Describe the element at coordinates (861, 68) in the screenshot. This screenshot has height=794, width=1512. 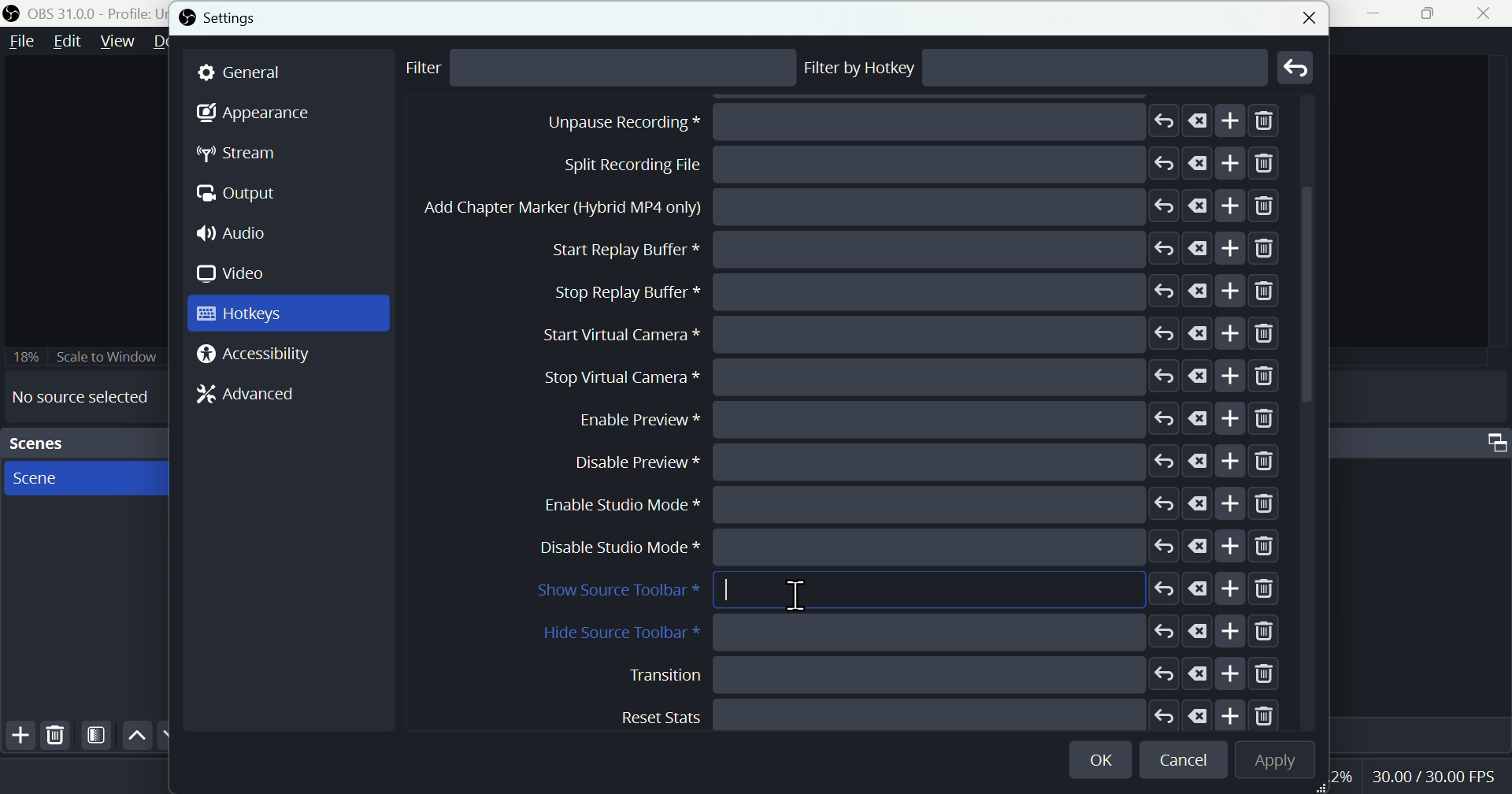
I see `Filter by hotkey` at that location.